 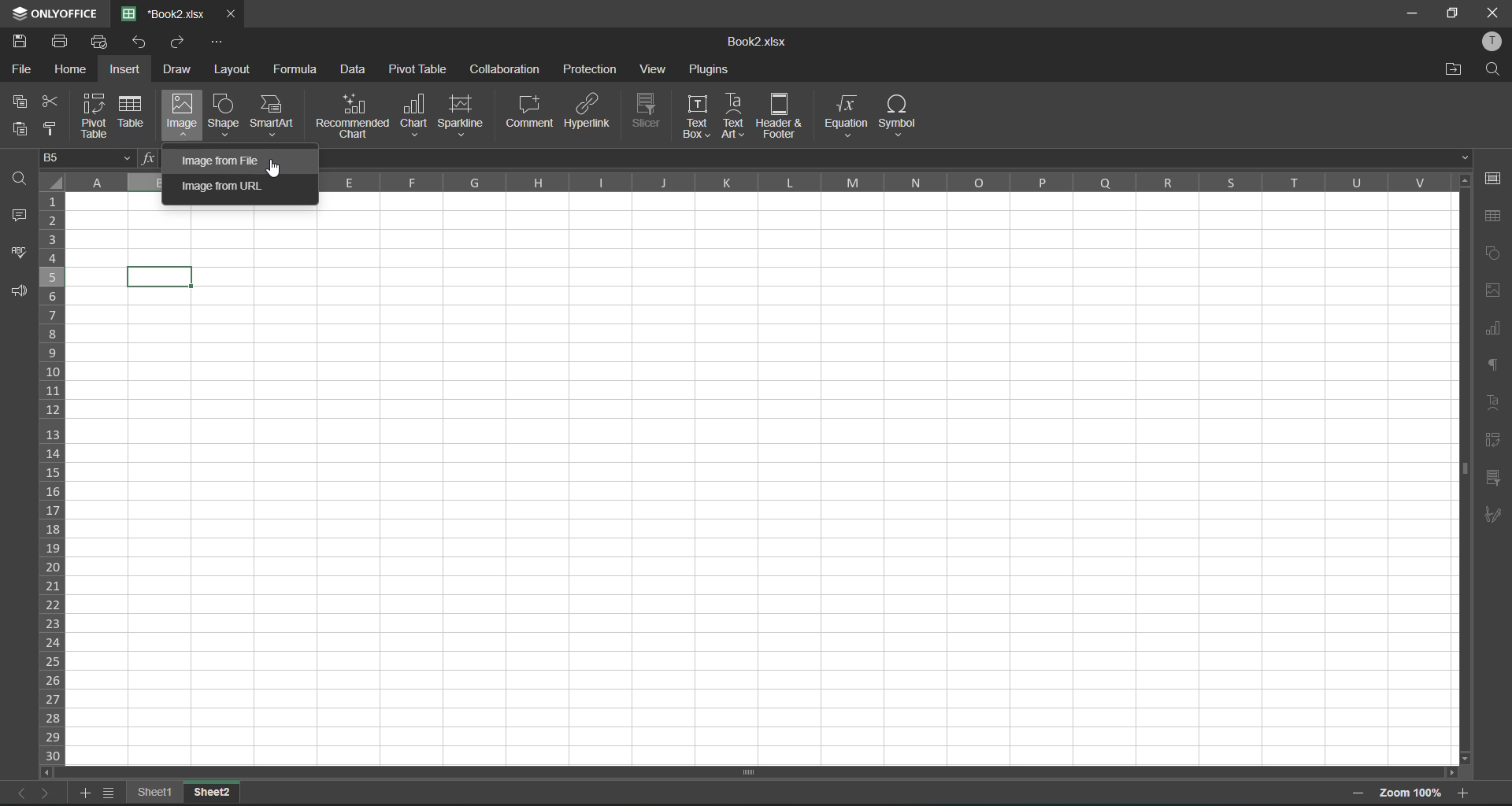 I want to click on shapes, so click(x=1492, y=257).